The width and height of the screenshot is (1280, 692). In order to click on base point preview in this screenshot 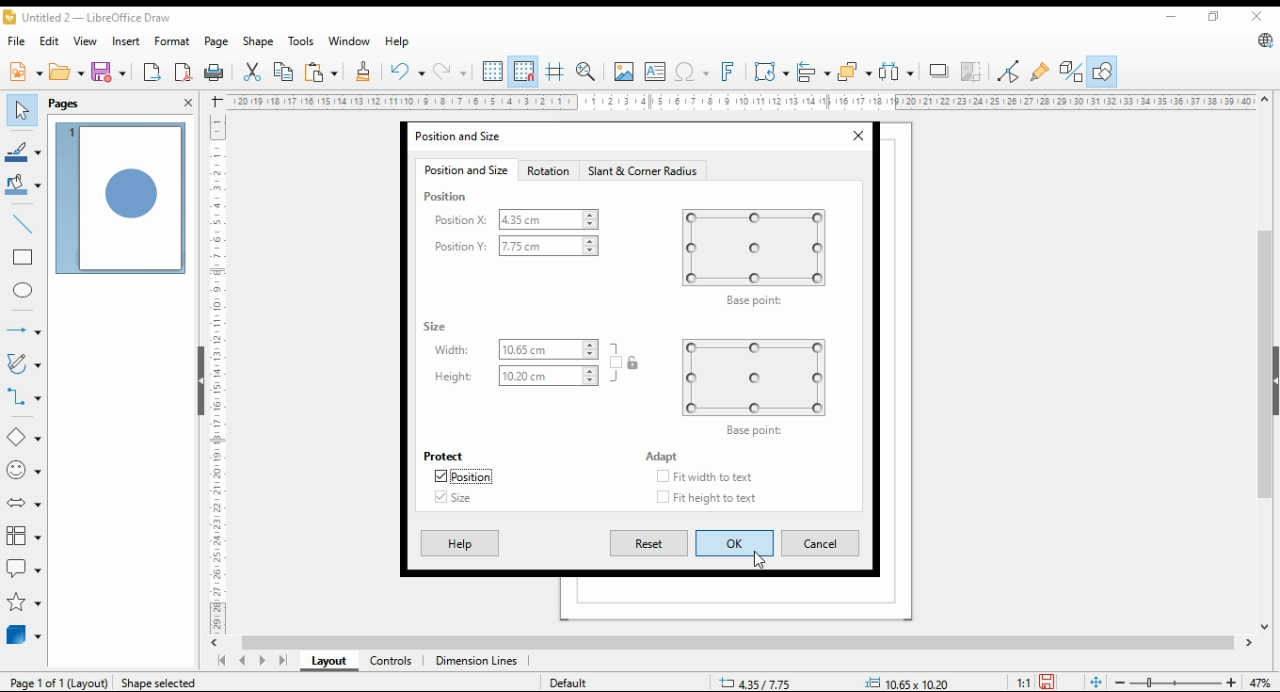, I will do `click(750, 255)`.